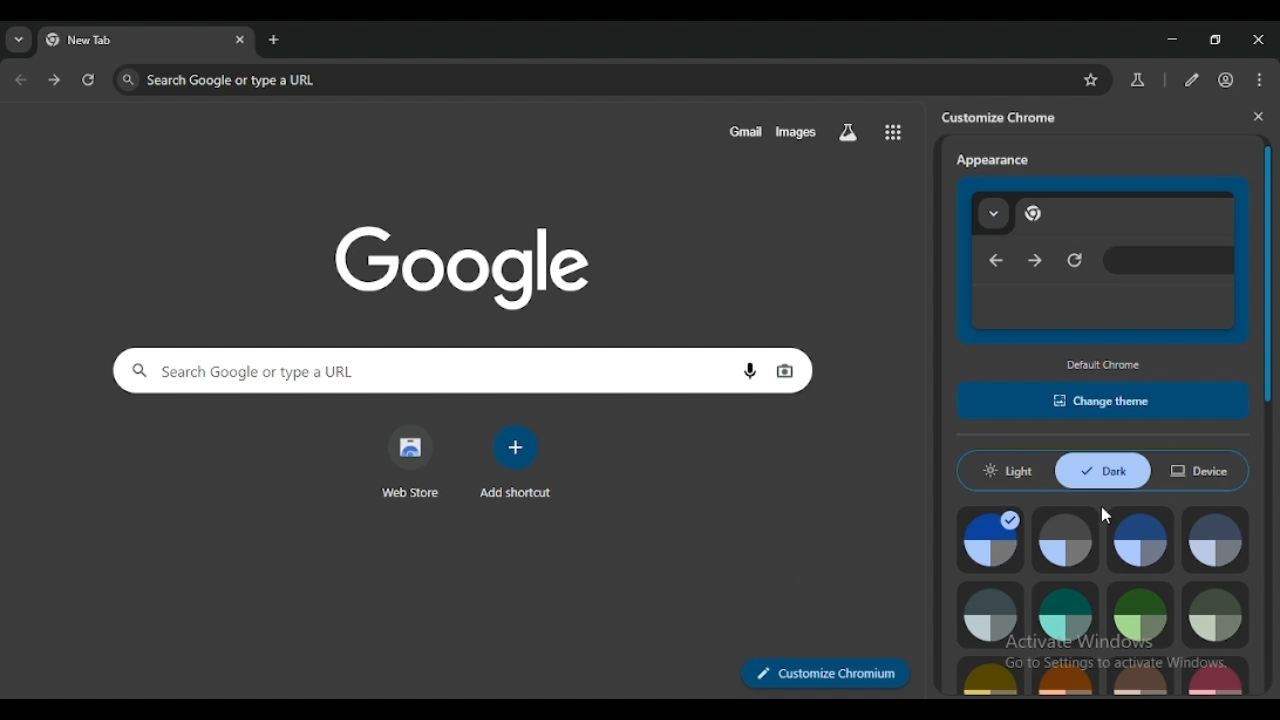 This screenshot has width=1280, height=720. Describe the element at coordinates (590, 78) in the screenshot. I see `search google or type a URL` at that location.